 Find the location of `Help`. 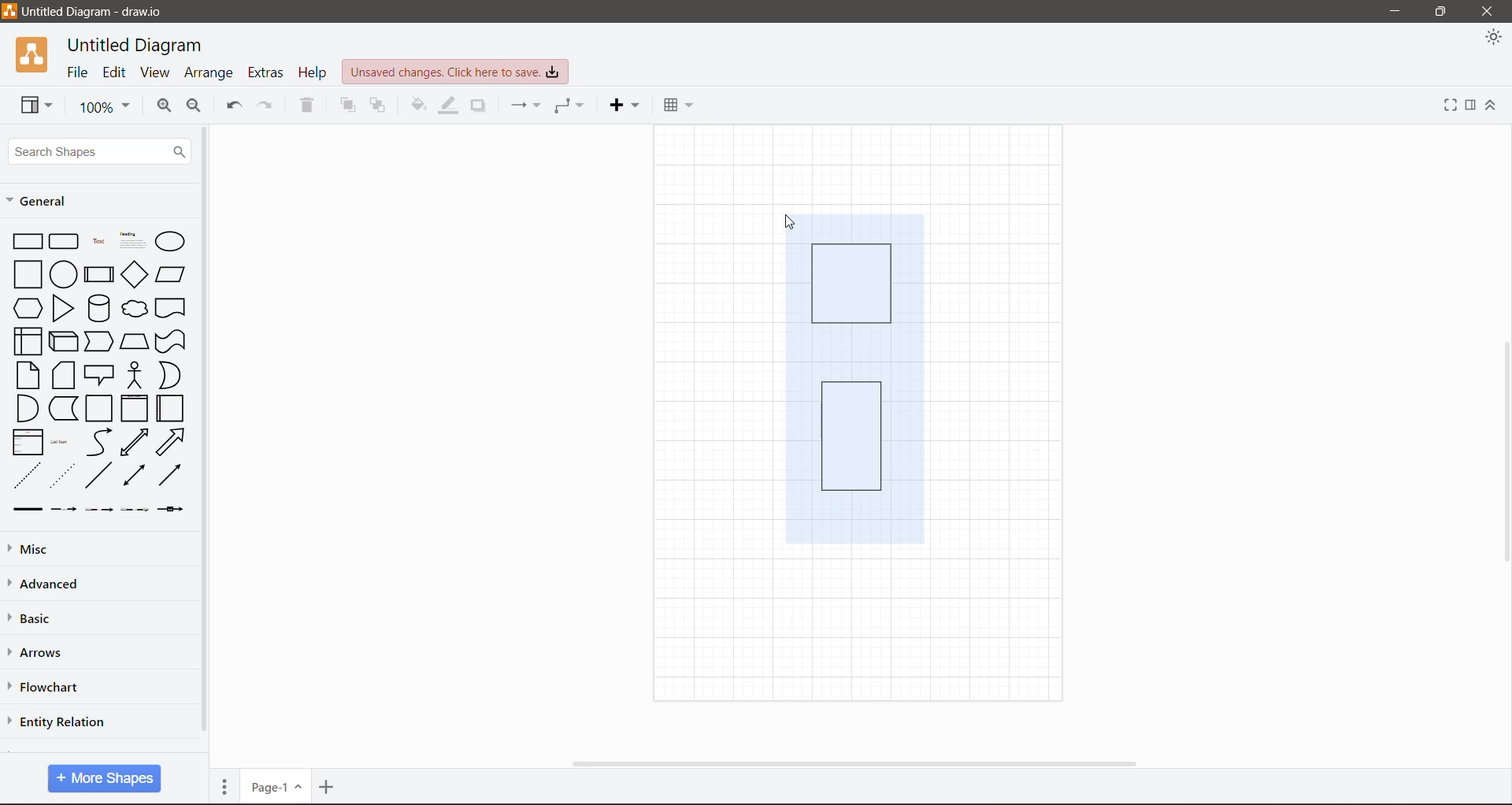

Help is located at coordinates (312, 71).